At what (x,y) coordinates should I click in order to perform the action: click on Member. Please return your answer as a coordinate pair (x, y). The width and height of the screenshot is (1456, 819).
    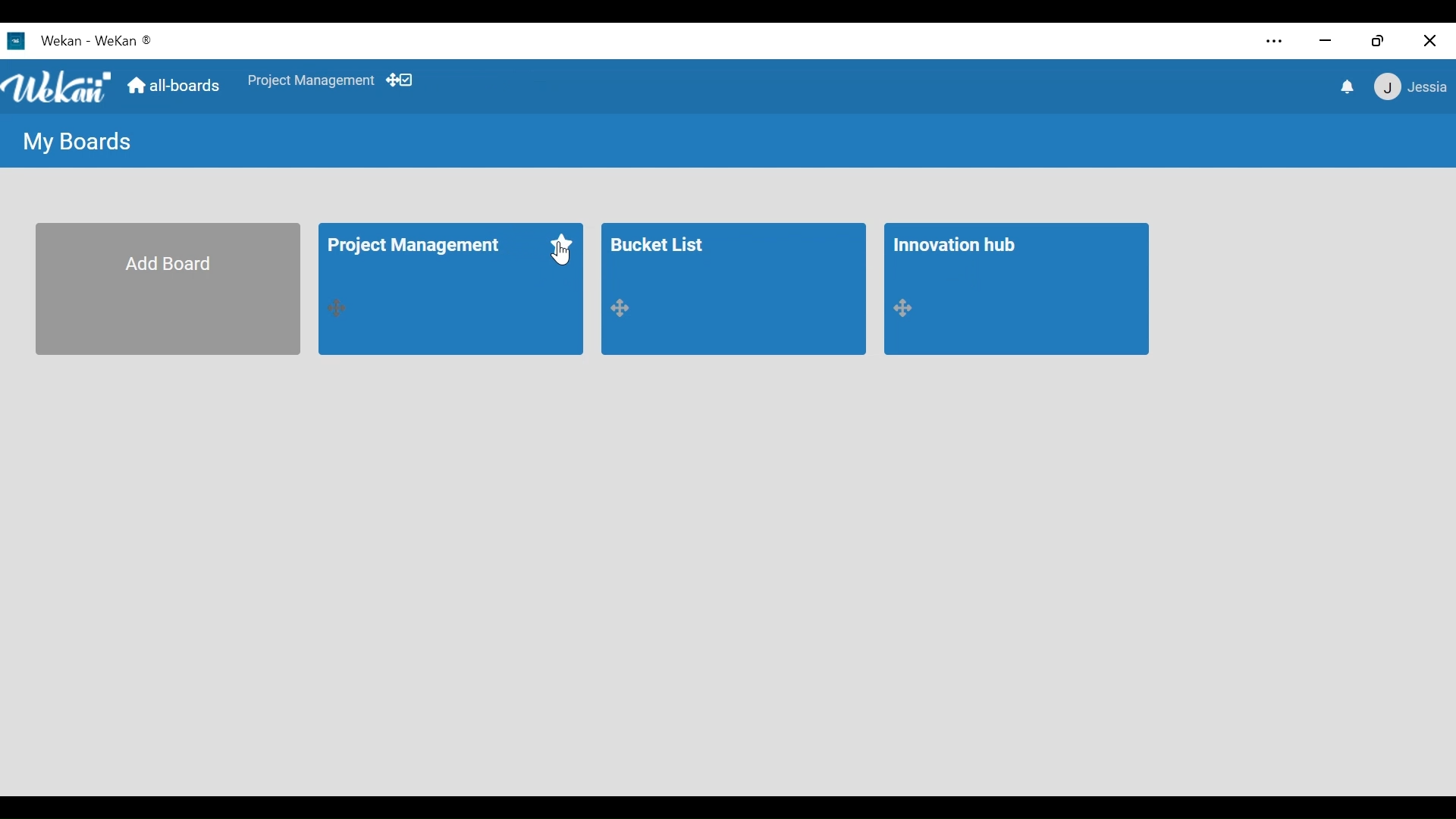
    Looking at the image, I should click on (1408, 88).